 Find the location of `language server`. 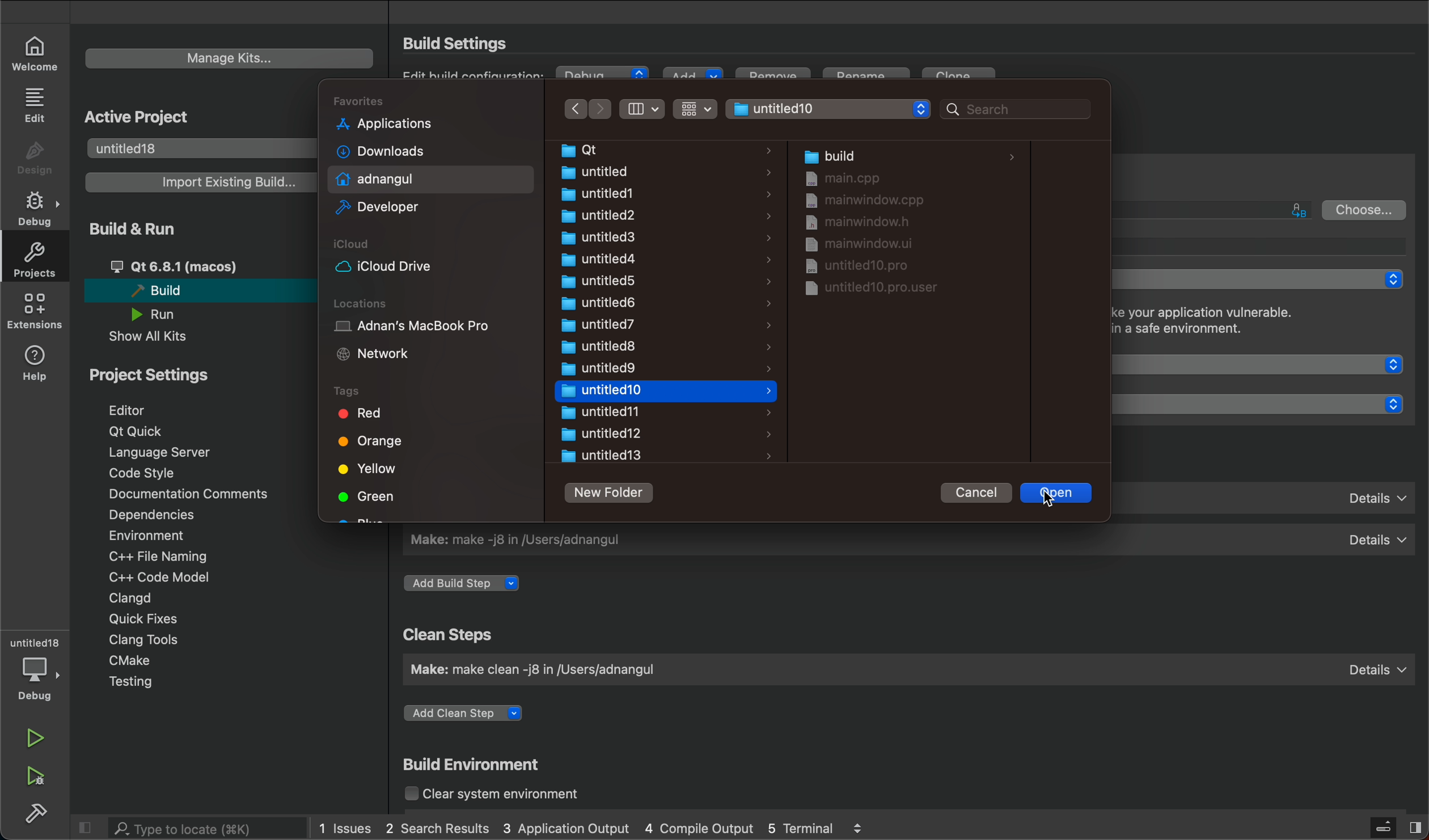

language server is located at coordinates (167, 454).